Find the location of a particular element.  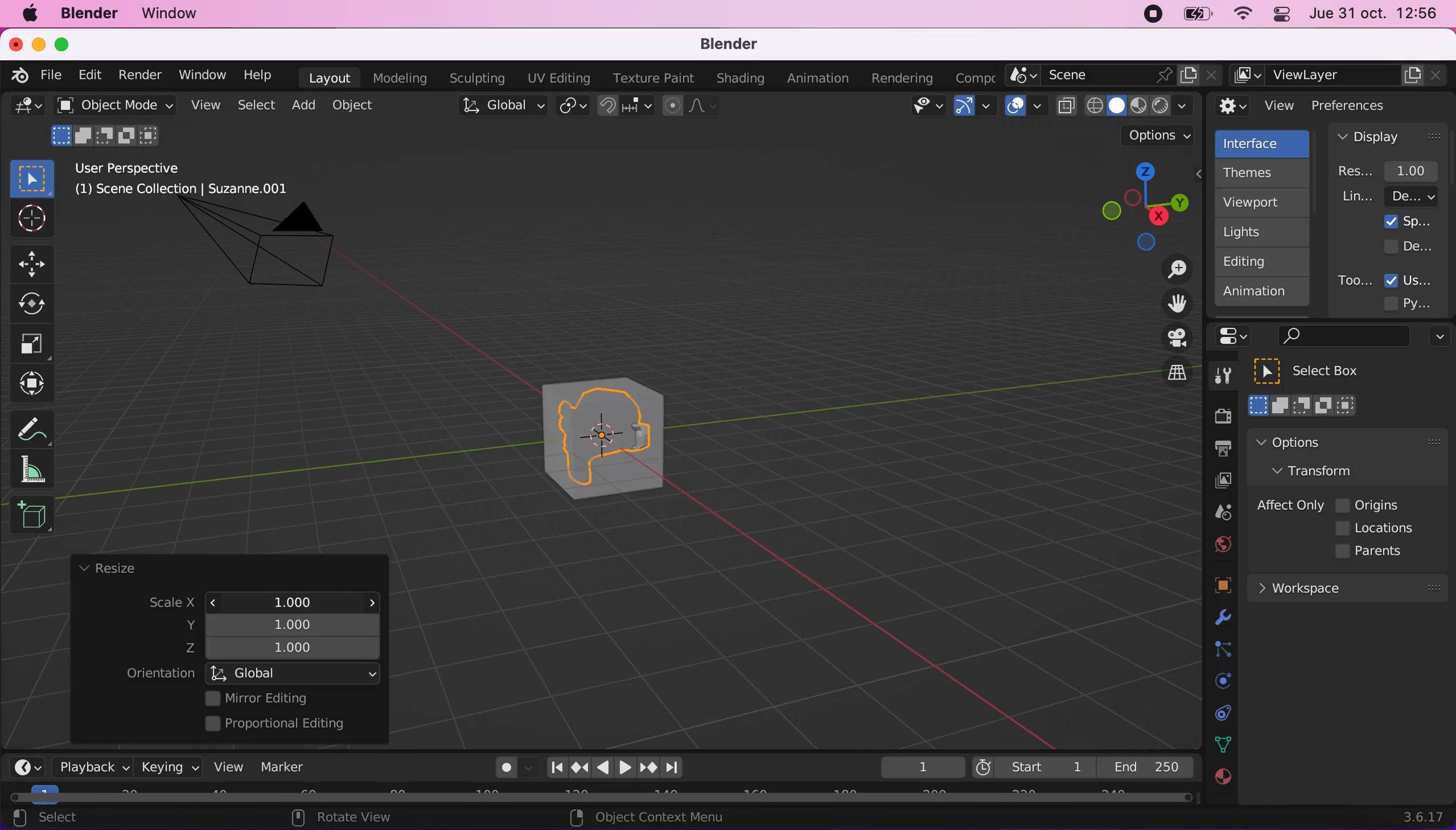

locations is located at coordinates (1378, 528).